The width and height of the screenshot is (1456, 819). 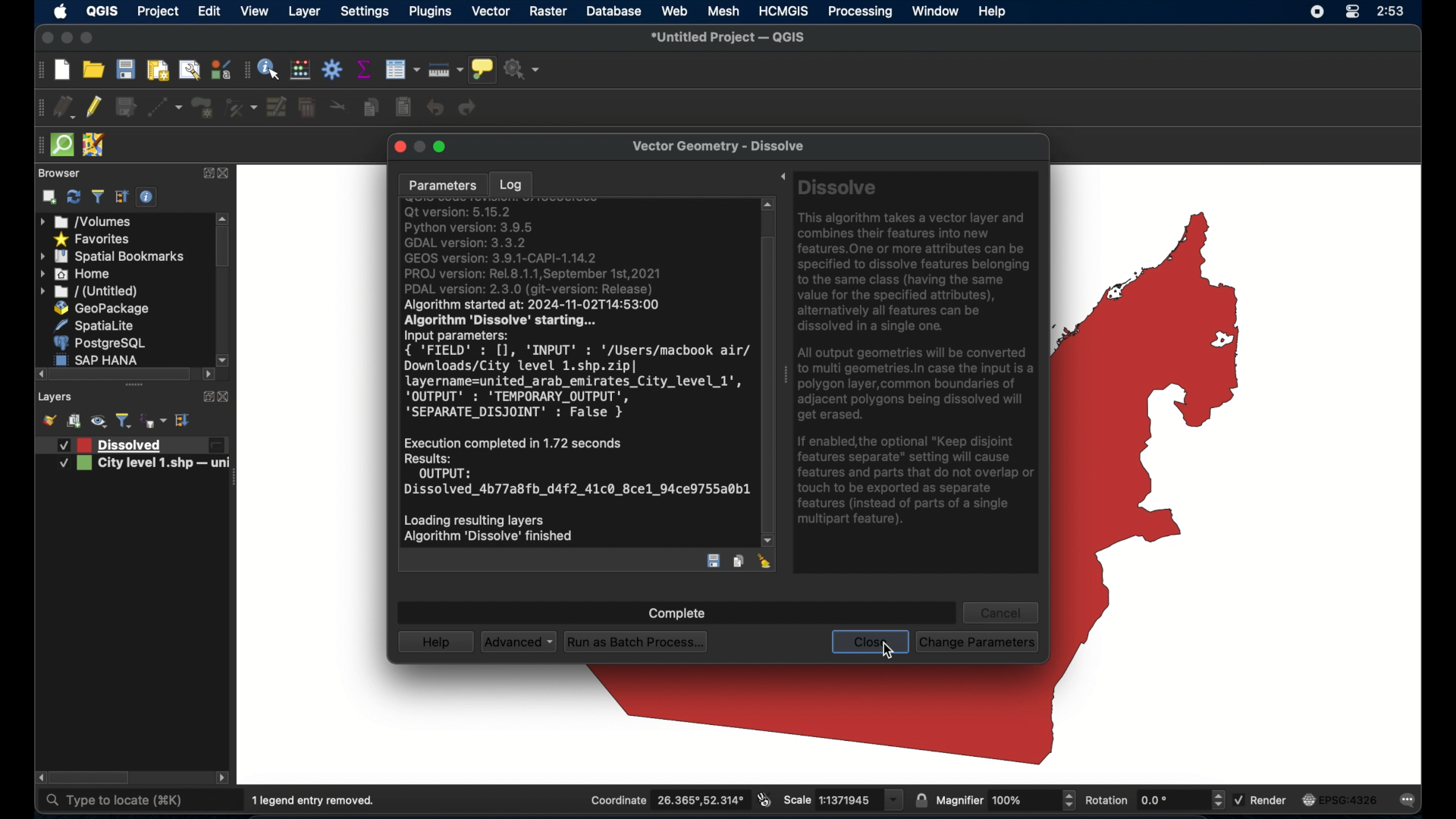 I want to click on filter legend, so click(x=97, y=197).